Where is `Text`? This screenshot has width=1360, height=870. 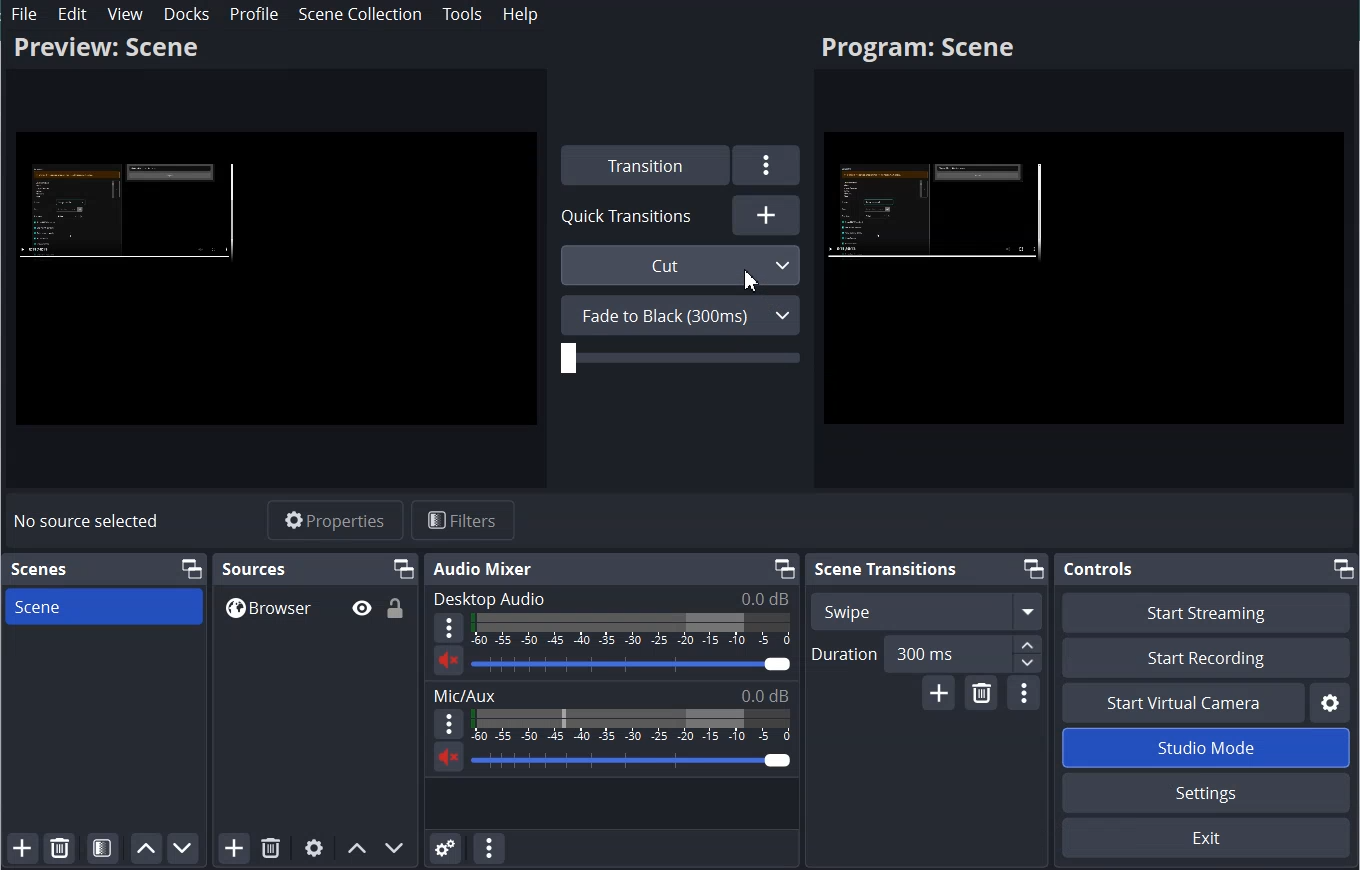 Text is located at coordinates (610, 598).